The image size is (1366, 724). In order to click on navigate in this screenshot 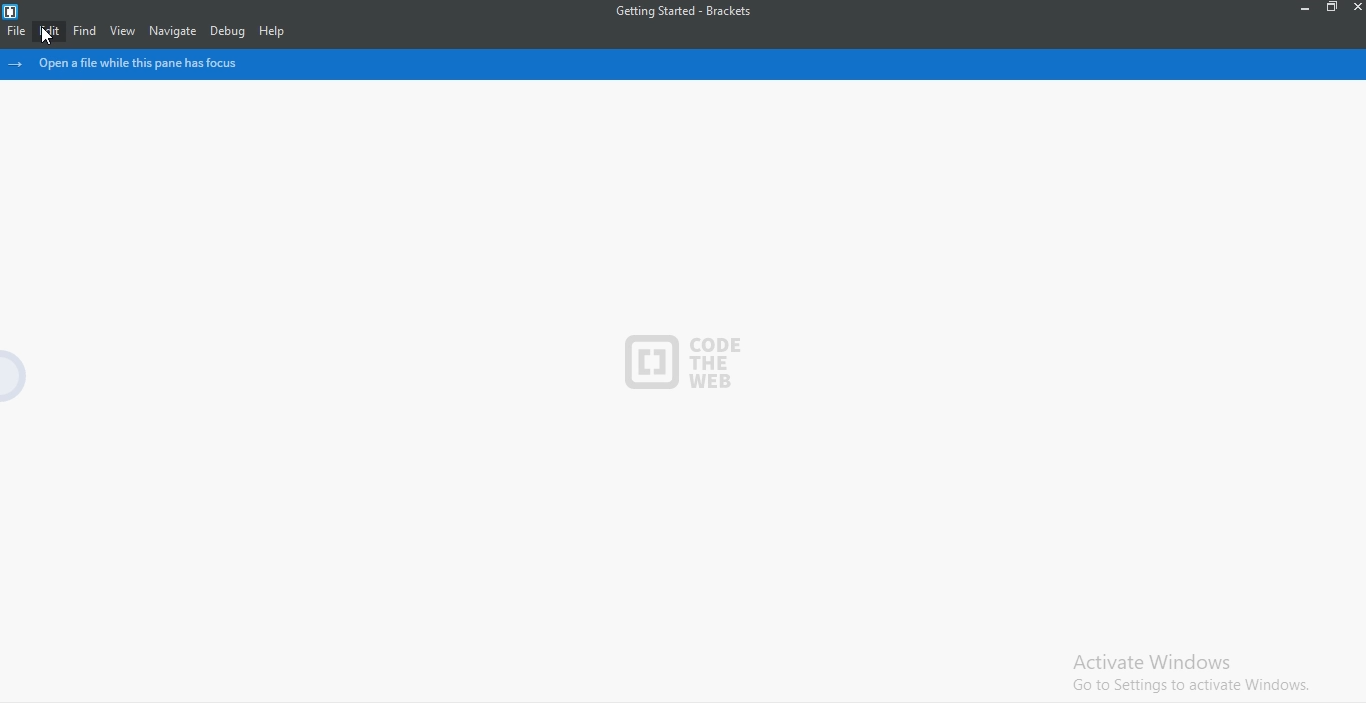, I will do `click(174, 31)`.